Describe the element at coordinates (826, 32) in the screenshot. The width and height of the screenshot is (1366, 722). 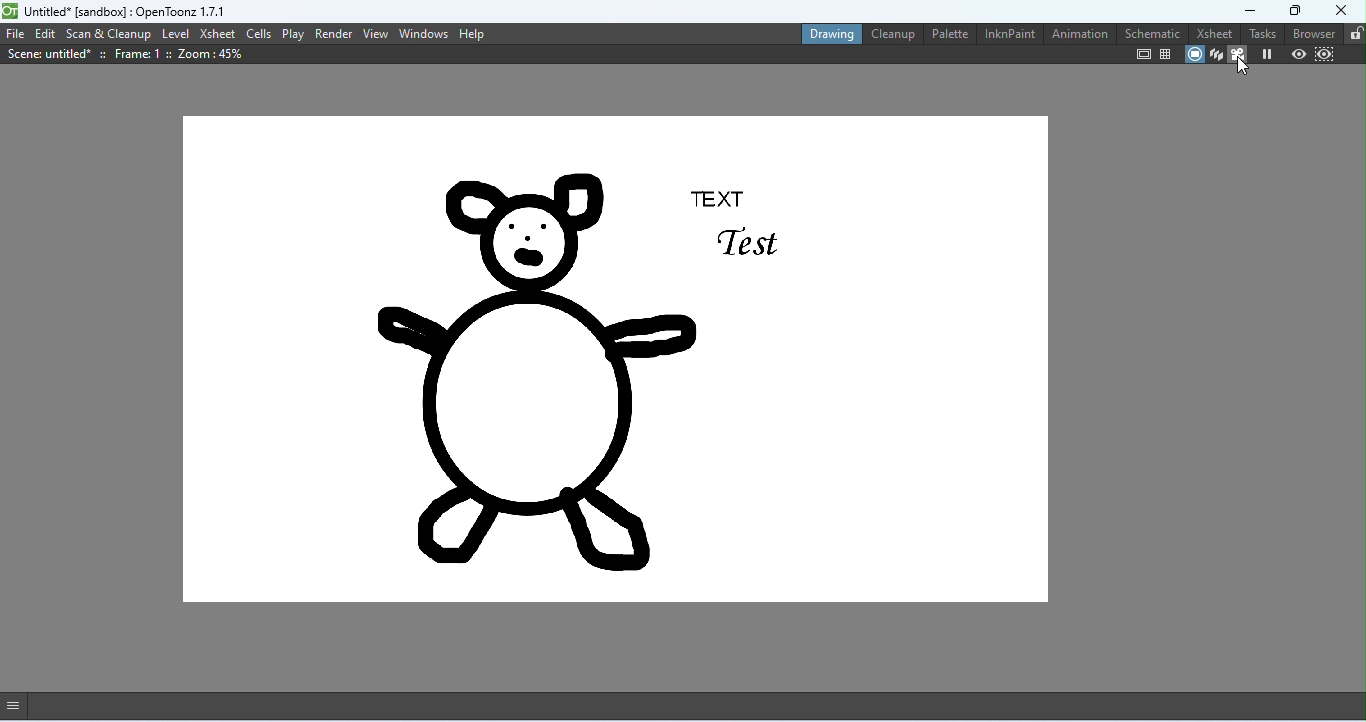
I see `Drawing` at that location.